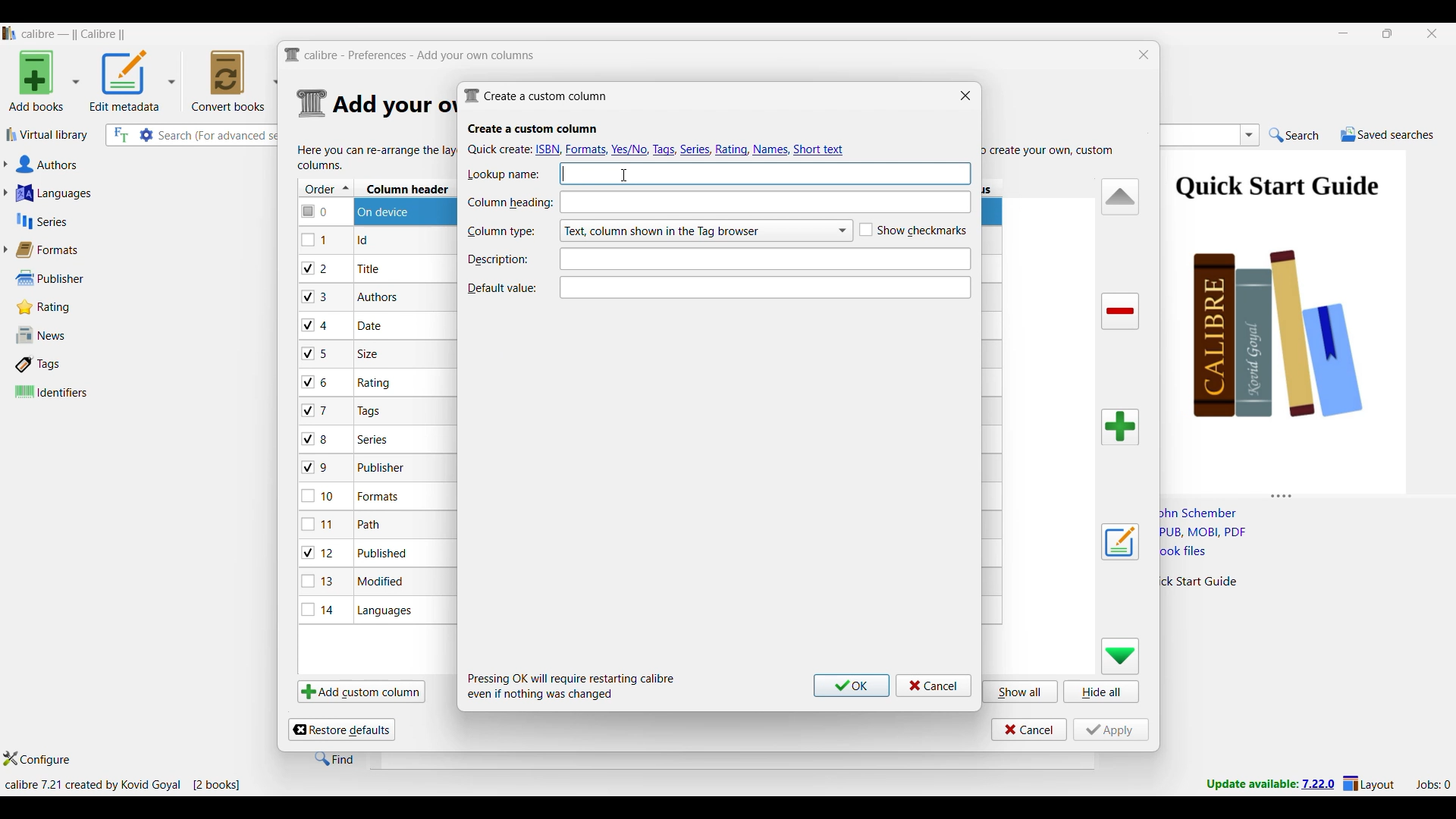  Describe the element at coordinates (1369, 783) in the screenshot. I see `Layout settings` at that location.